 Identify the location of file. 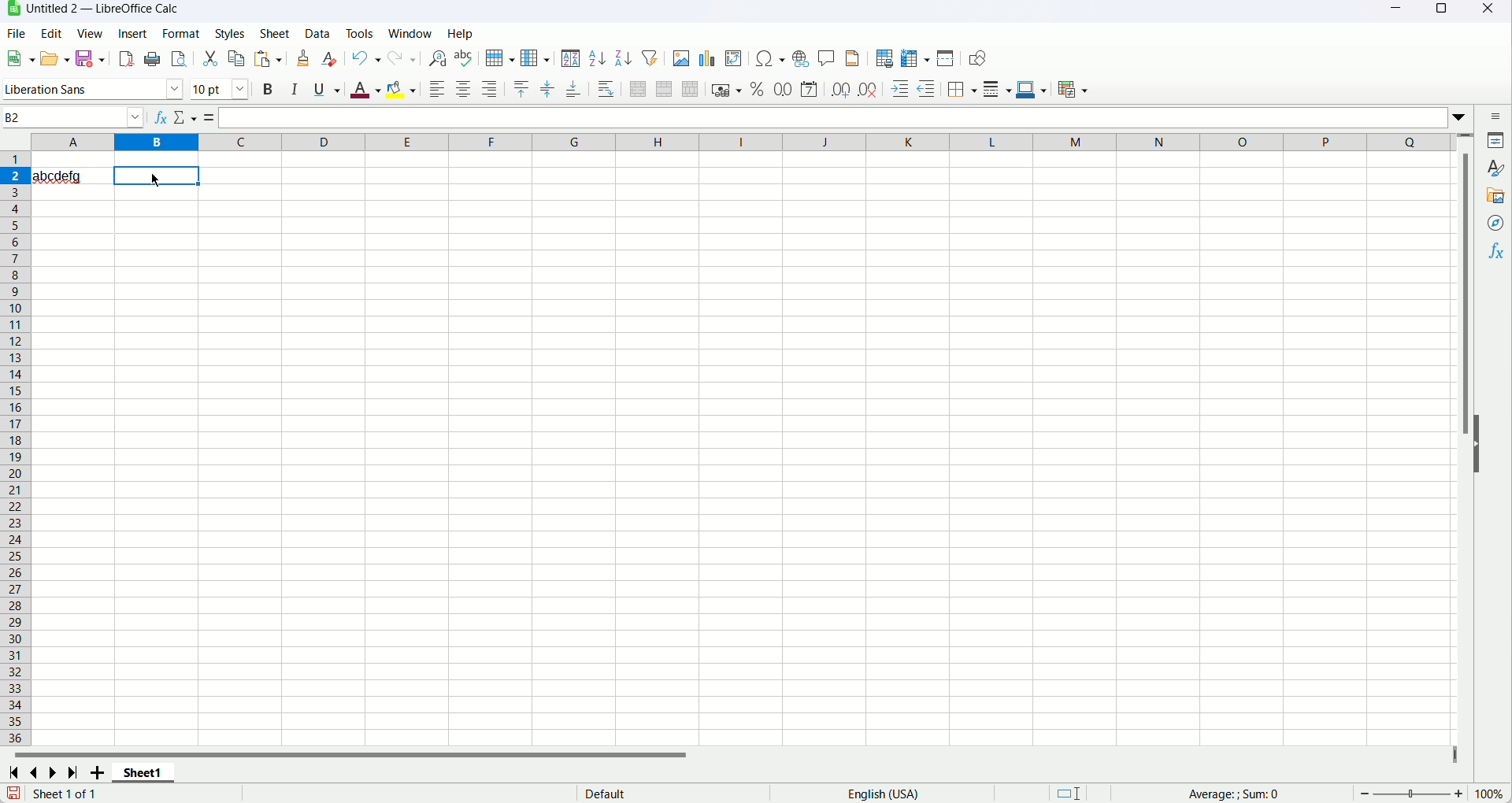
(15, 34).